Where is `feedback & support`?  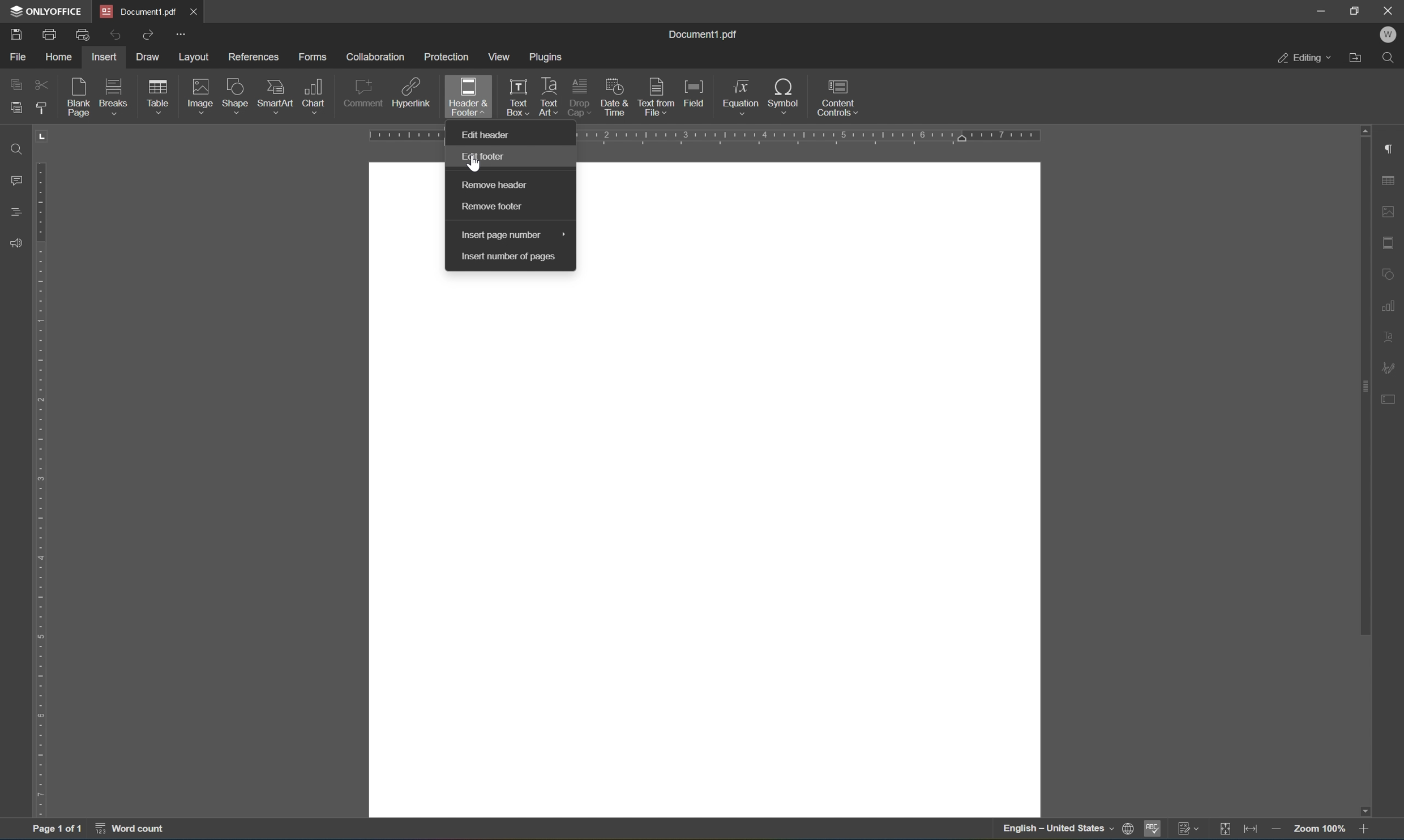
feedback & support is located at coordinates (17, 241).